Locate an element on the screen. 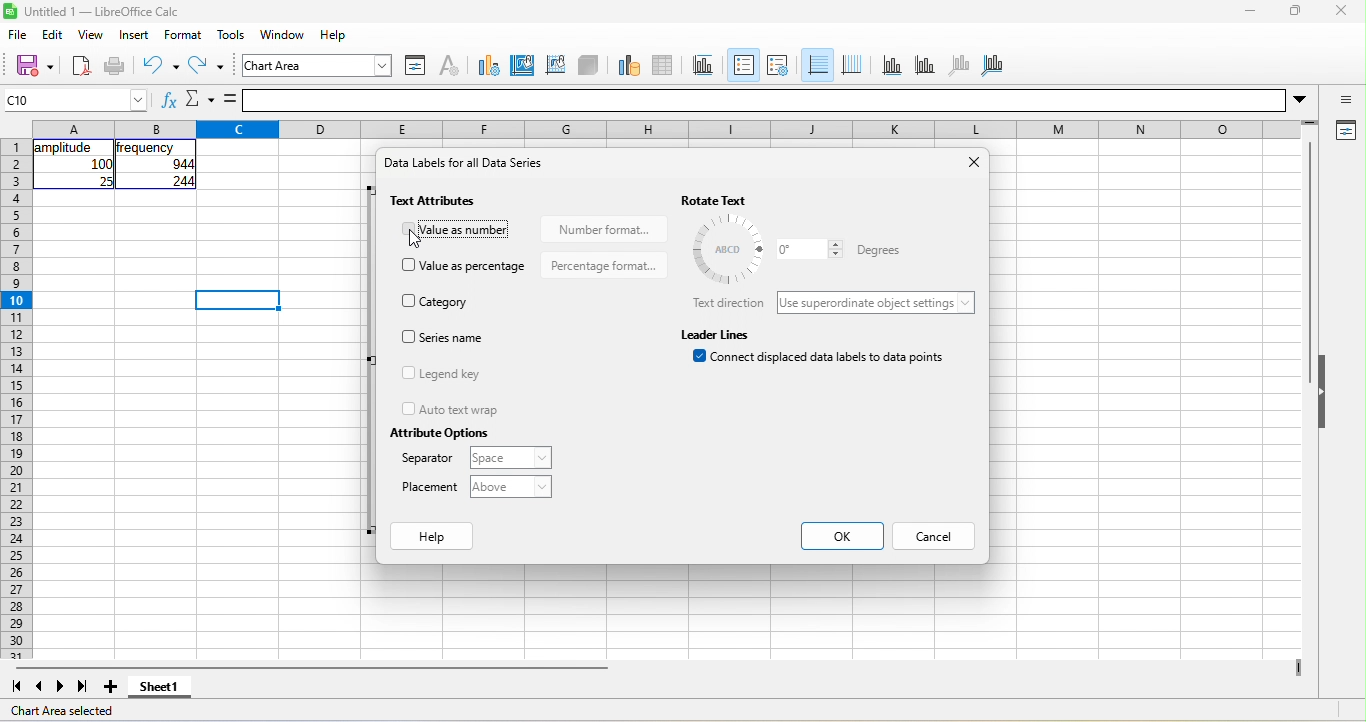 The height and width of the screenshot is (722, 1366). connect displayed data labels to data points is located at coordinates (823, 361).